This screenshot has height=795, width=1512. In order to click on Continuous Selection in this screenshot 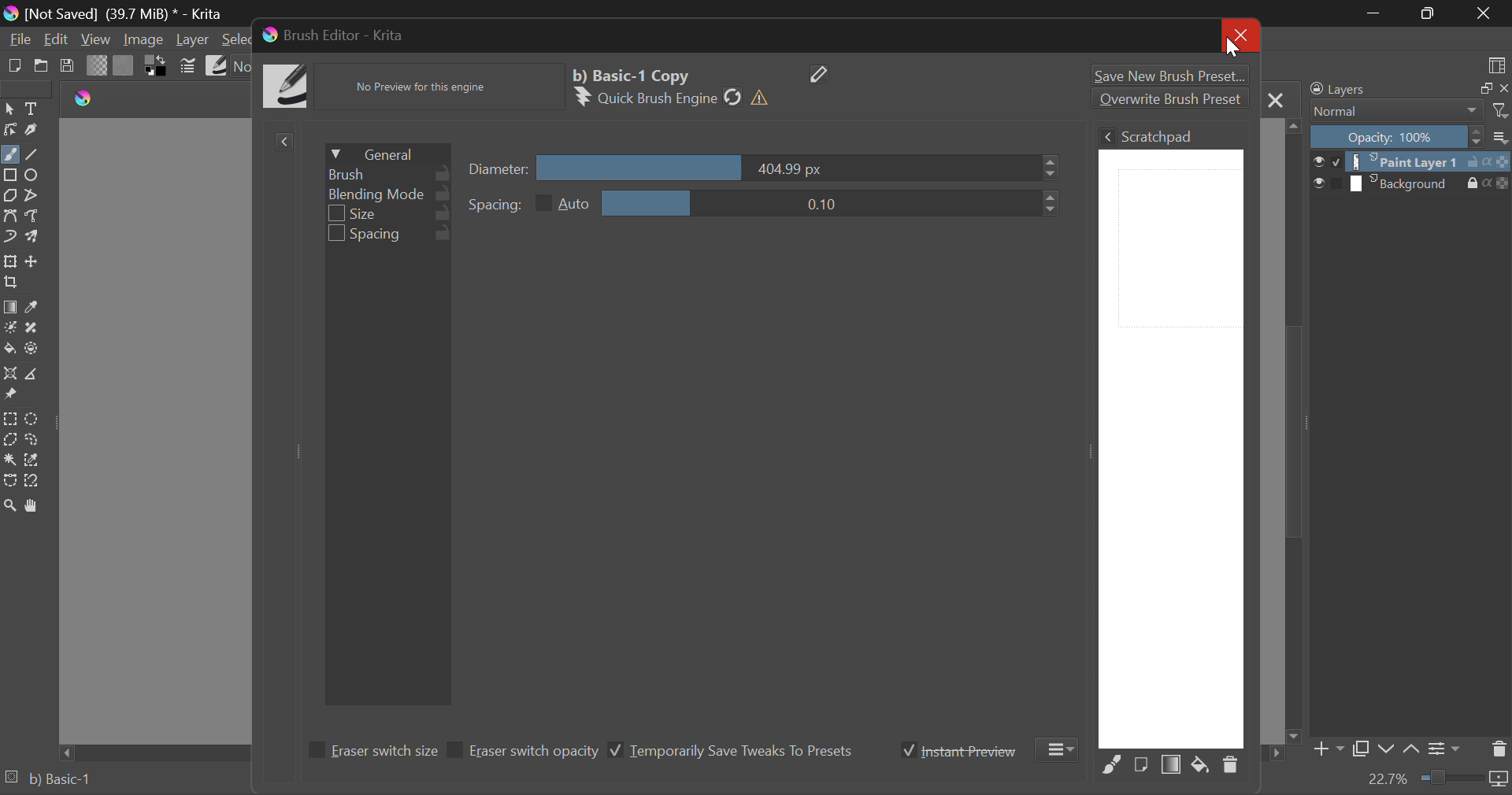, I will do `click(9, 460)`.